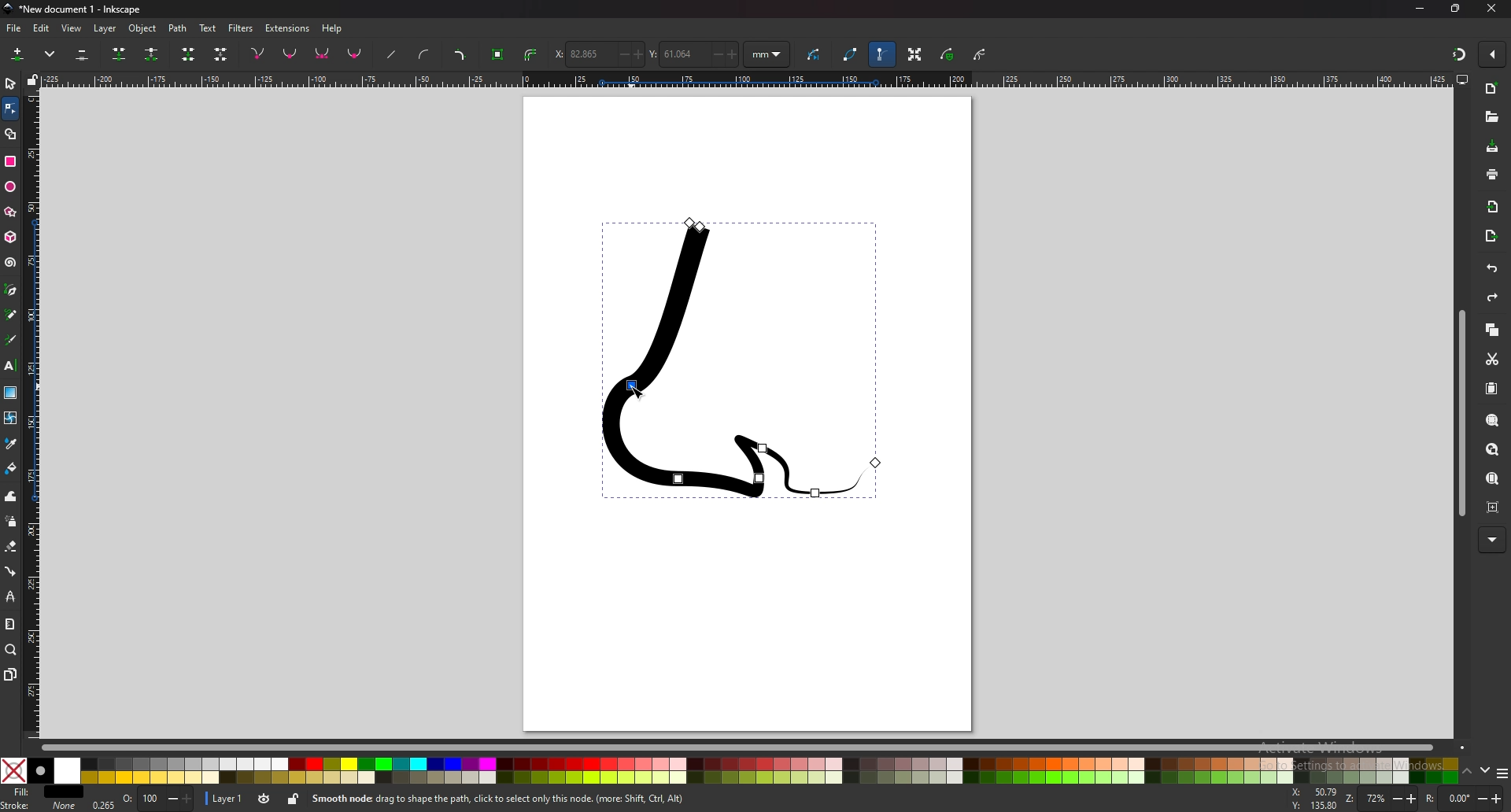  Describe the element at coordinates (1456, 9) in the screenshot. I see `resize` at that location.